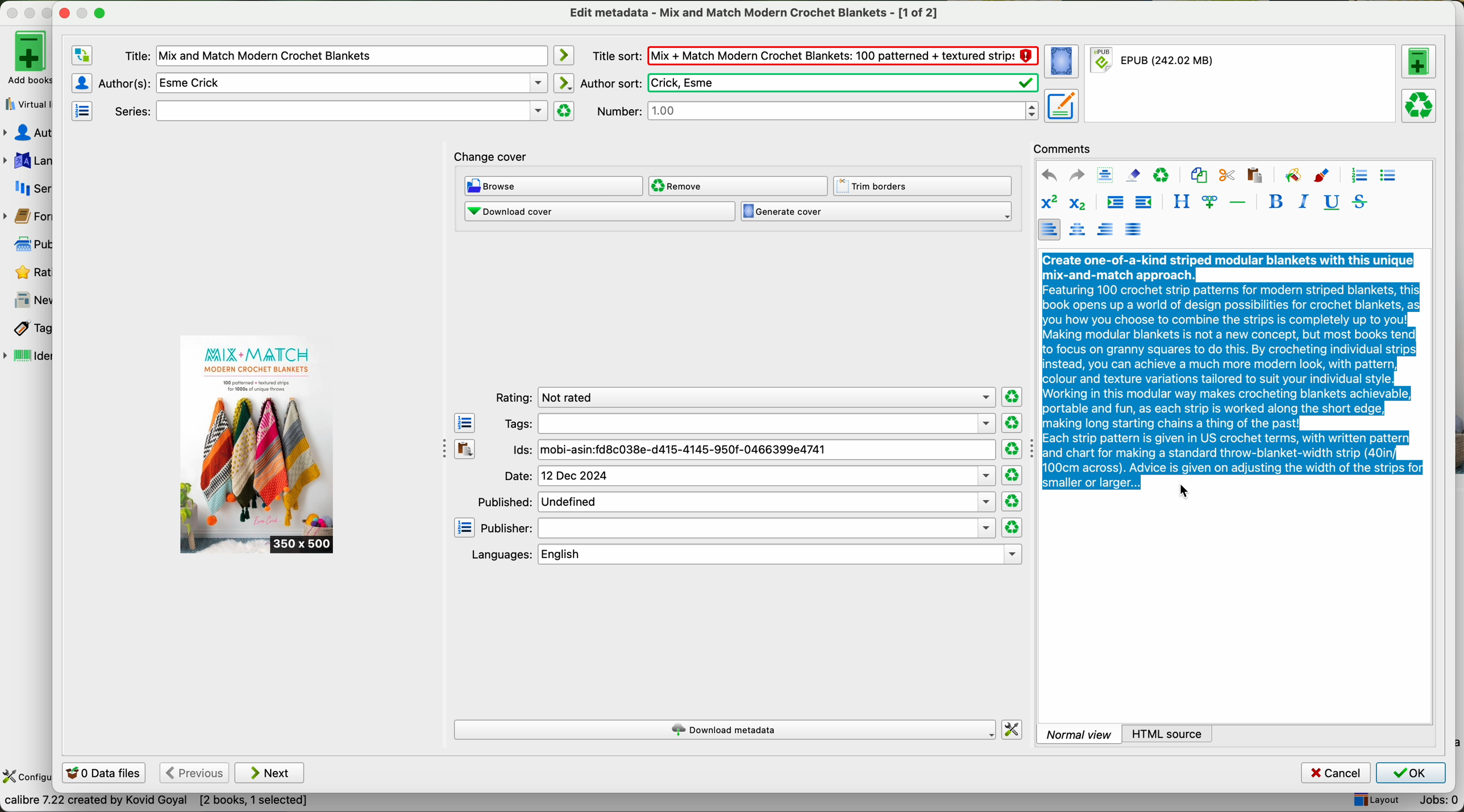 The image size is (1464, 812). What do you see at coordinates (270, 773) in the screenshot?
I see `next` at bounding box center [270, 773].